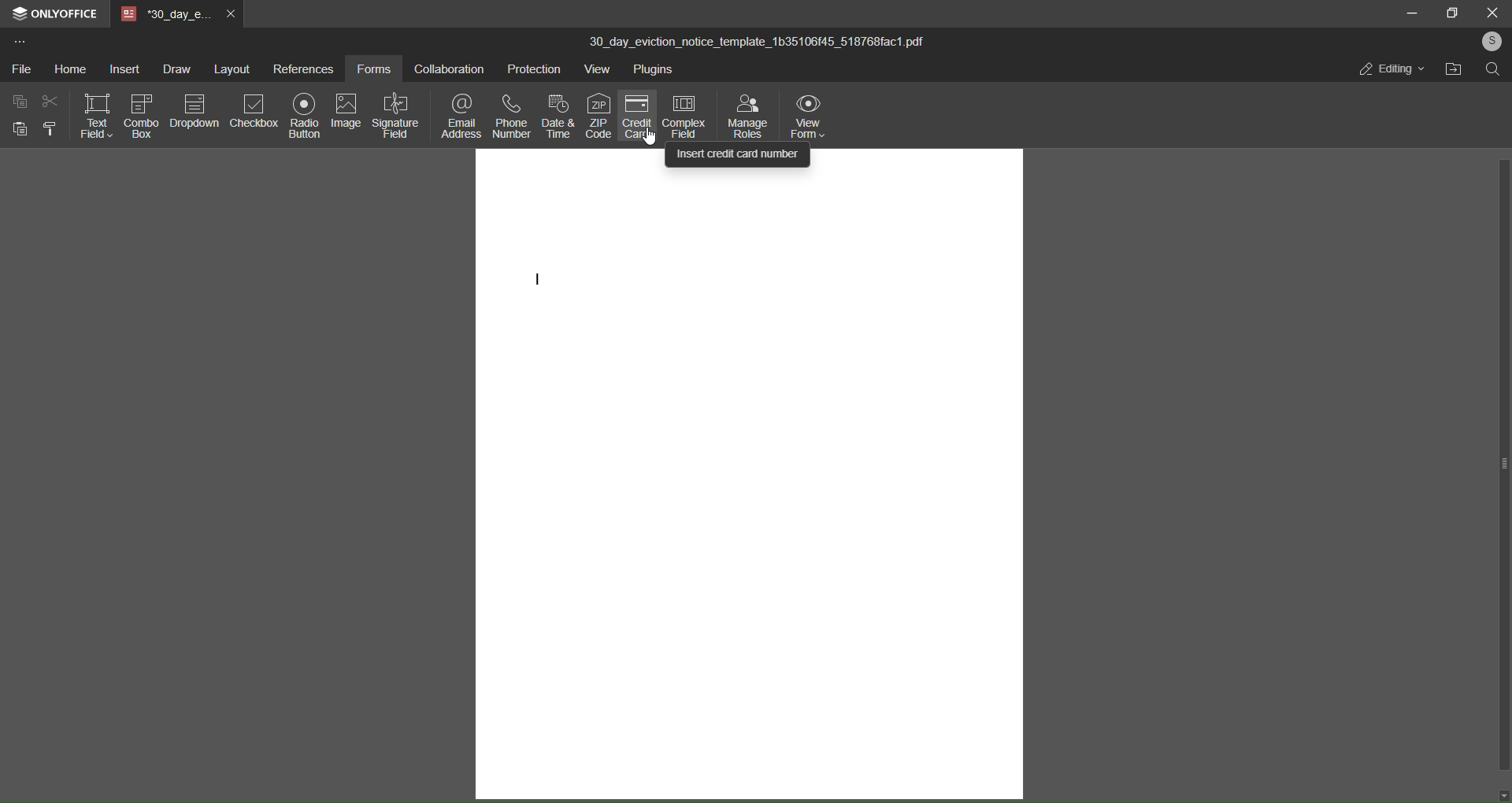  I want to click on view form, so click(811, 117).